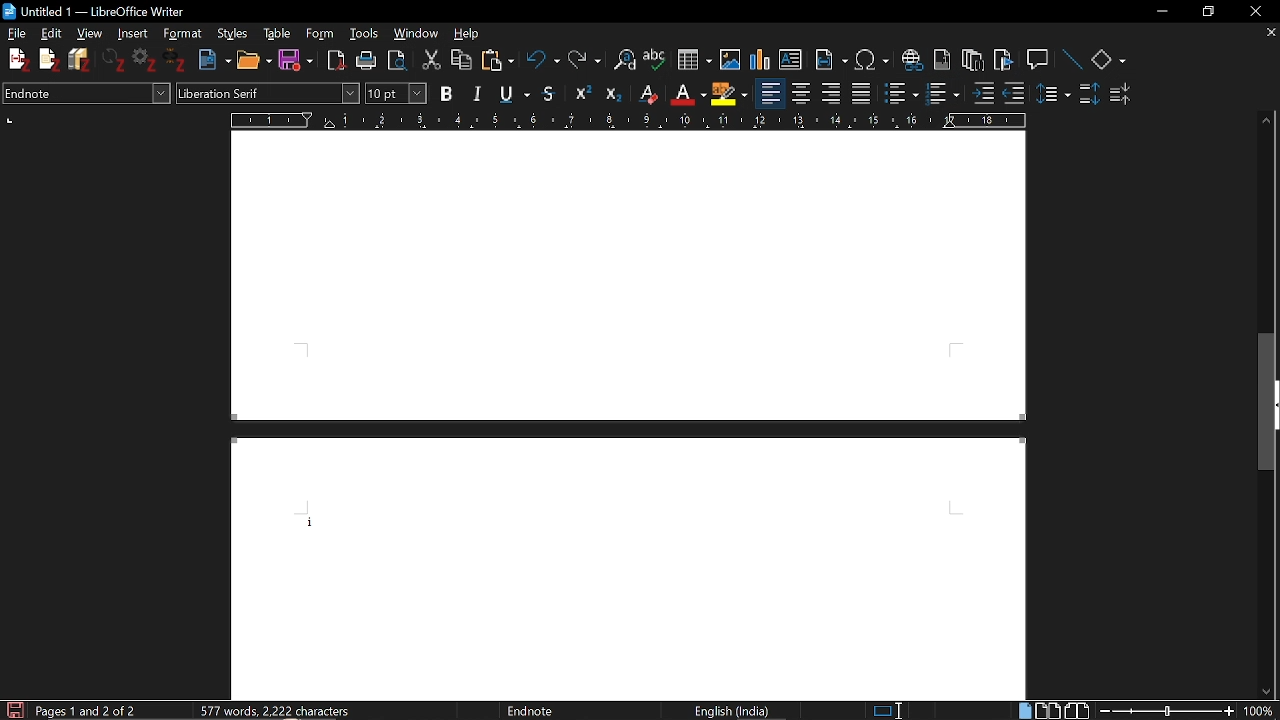 This screenshot has width=1280, height=720. What do you see at coordinates (1253, 11) in the screenshot?
I see `Close` at bounding box center [1253, 11].